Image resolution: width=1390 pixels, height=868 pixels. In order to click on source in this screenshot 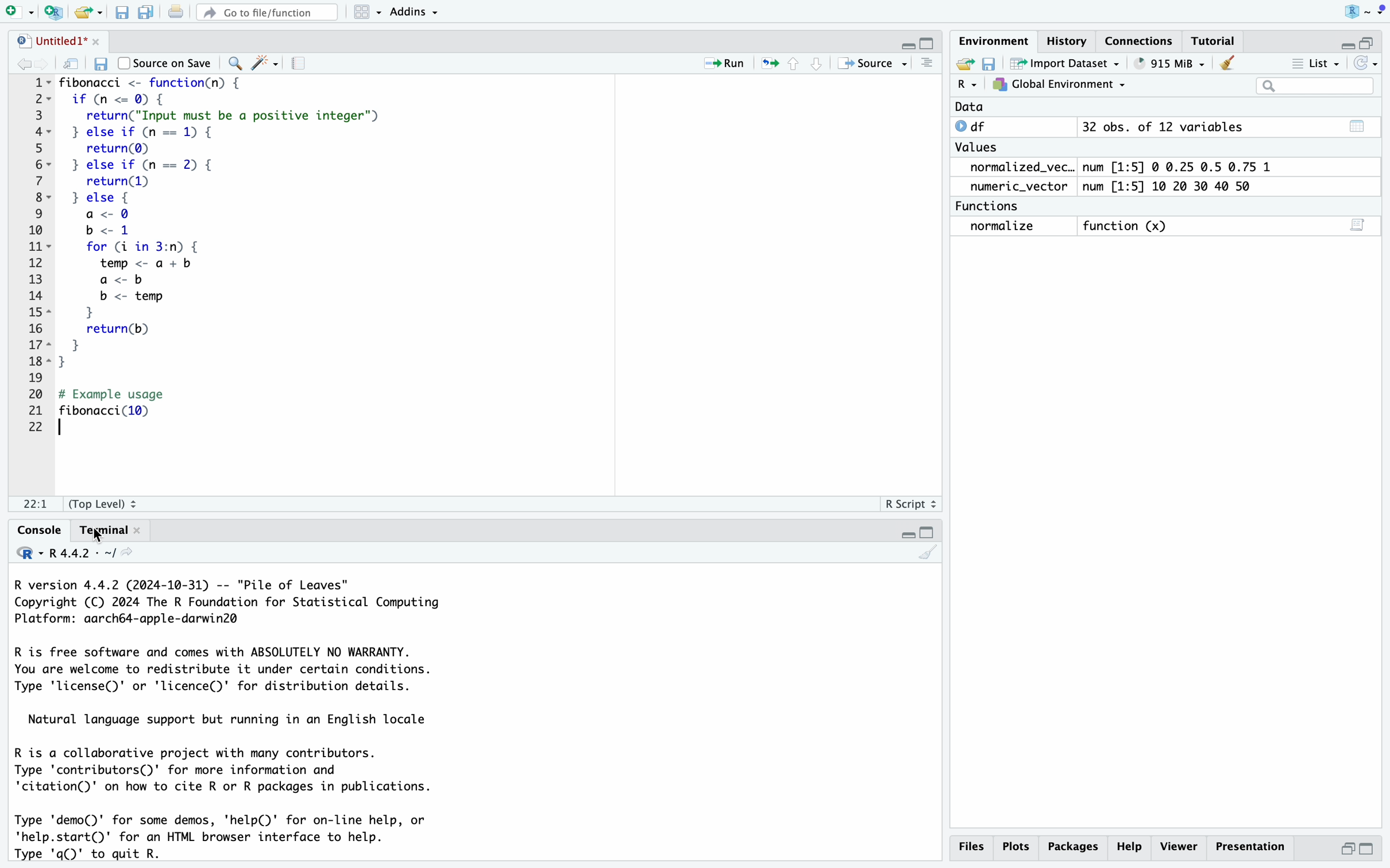, I will do `click(872, 63)`.